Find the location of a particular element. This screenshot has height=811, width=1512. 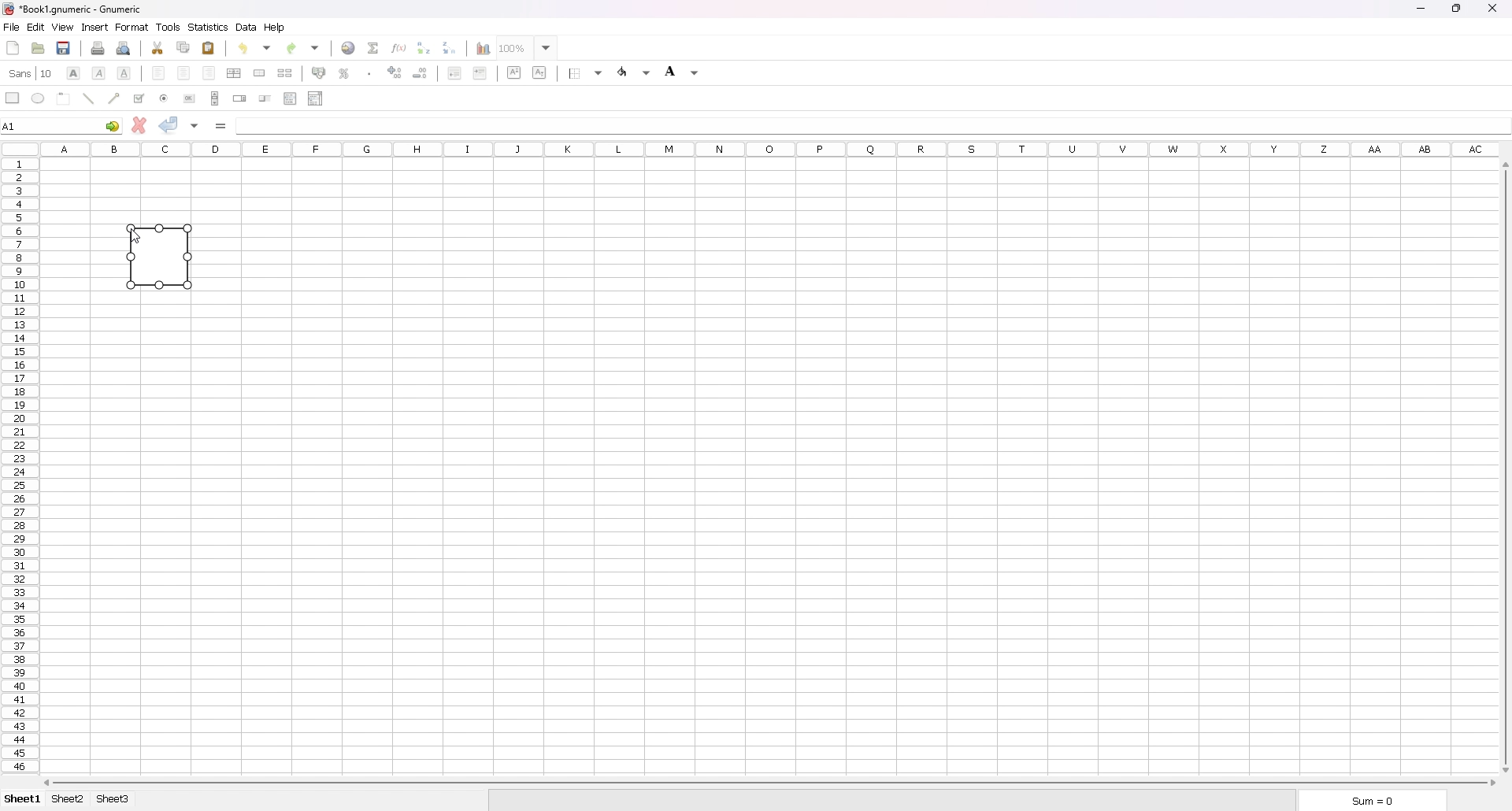

background is located at coordinates (682, 72).